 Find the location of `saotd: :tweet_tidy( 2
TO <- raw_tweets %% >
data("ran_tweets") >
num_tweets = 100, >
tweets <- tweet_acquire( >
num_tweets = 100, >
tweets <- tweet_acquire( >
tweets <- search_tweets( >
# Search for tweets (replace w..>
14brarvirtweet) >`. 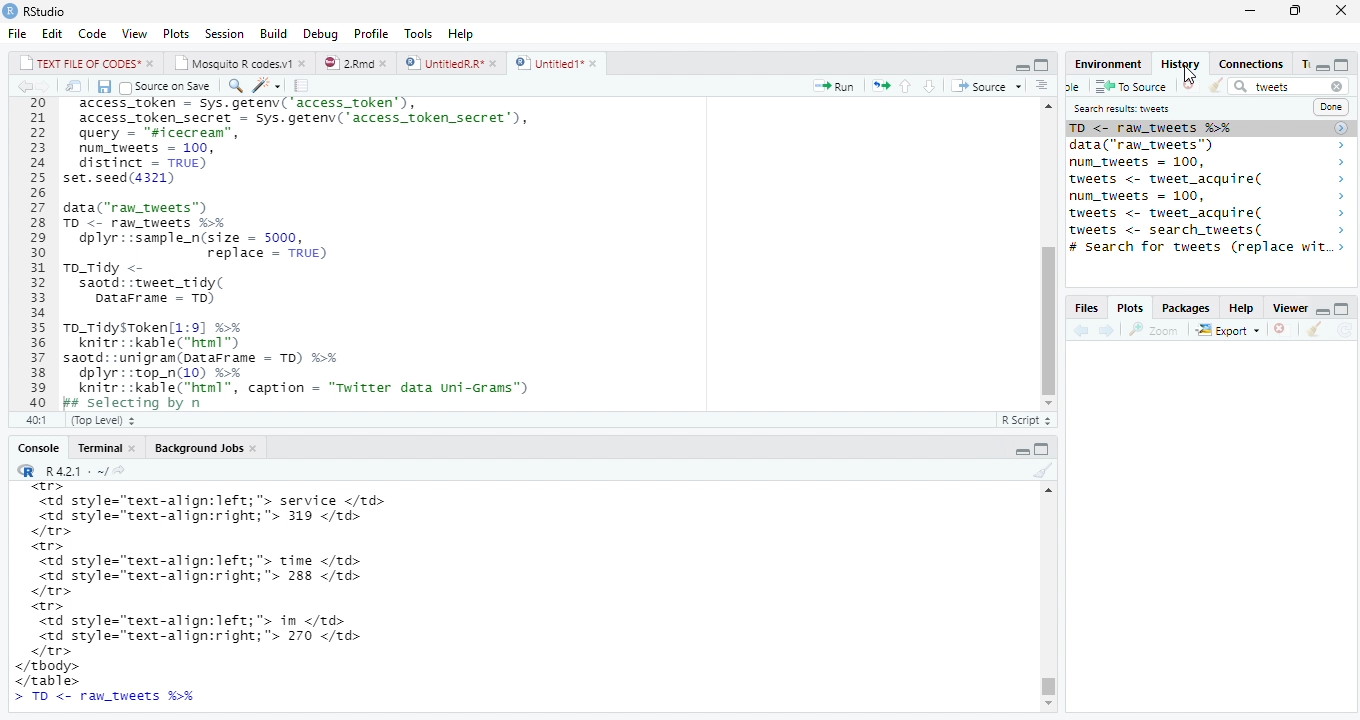

saotd: :tweet_tidy( 2
TO <- raw_tweets %% >
data("ran_tweets") >
num_tweets = 100, >
tweets <- tweet_acquire( >
num_tweets = 100, >
tweets <- tweet_acquire( >
tweets <- search_tweets( >
# Search for tweets (replace w..>
14brarvirtweet) > is located at coordinates (1199, 203).